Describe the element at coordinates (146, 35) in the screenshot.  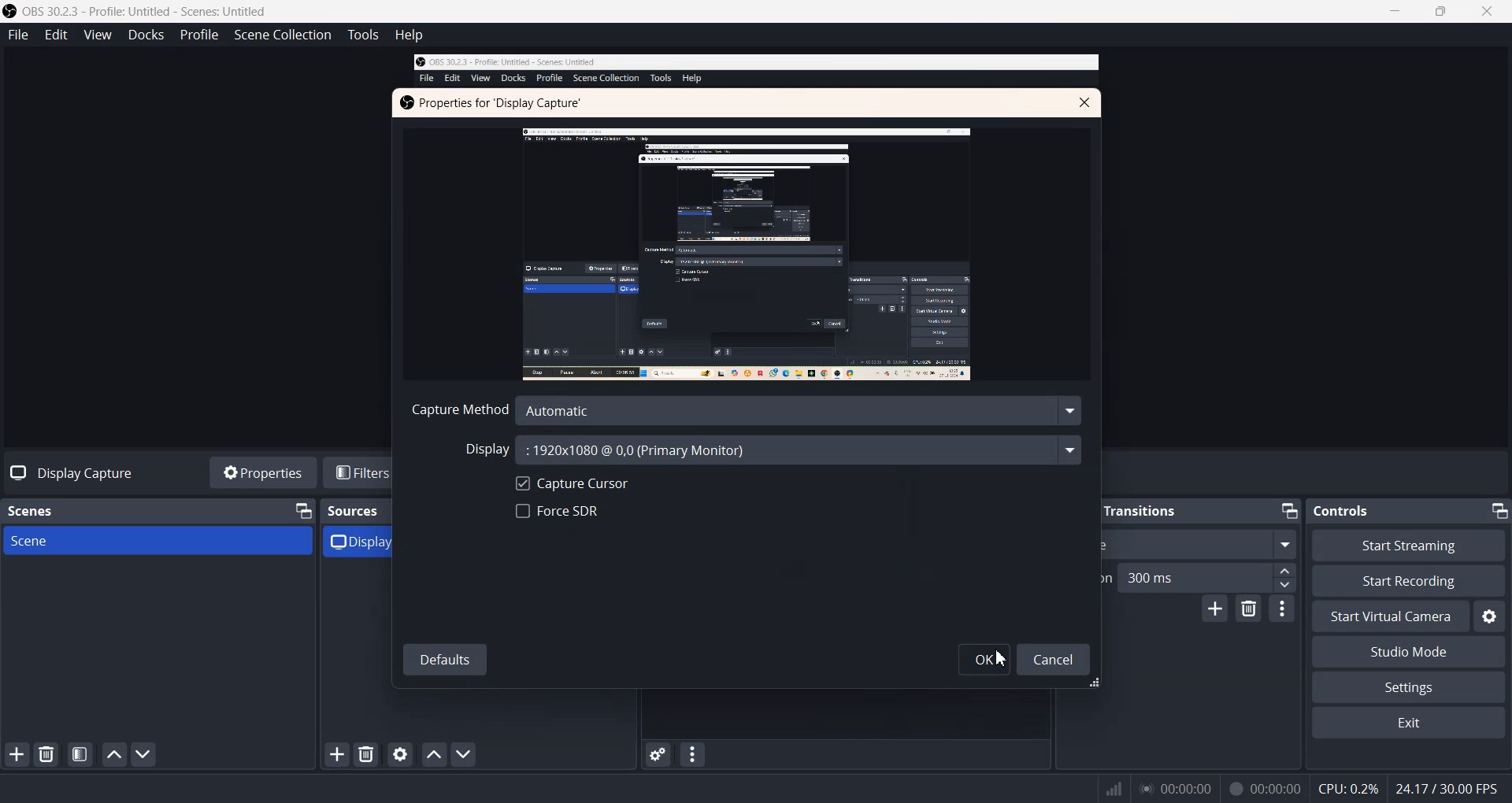
I see `Docks` at that location.